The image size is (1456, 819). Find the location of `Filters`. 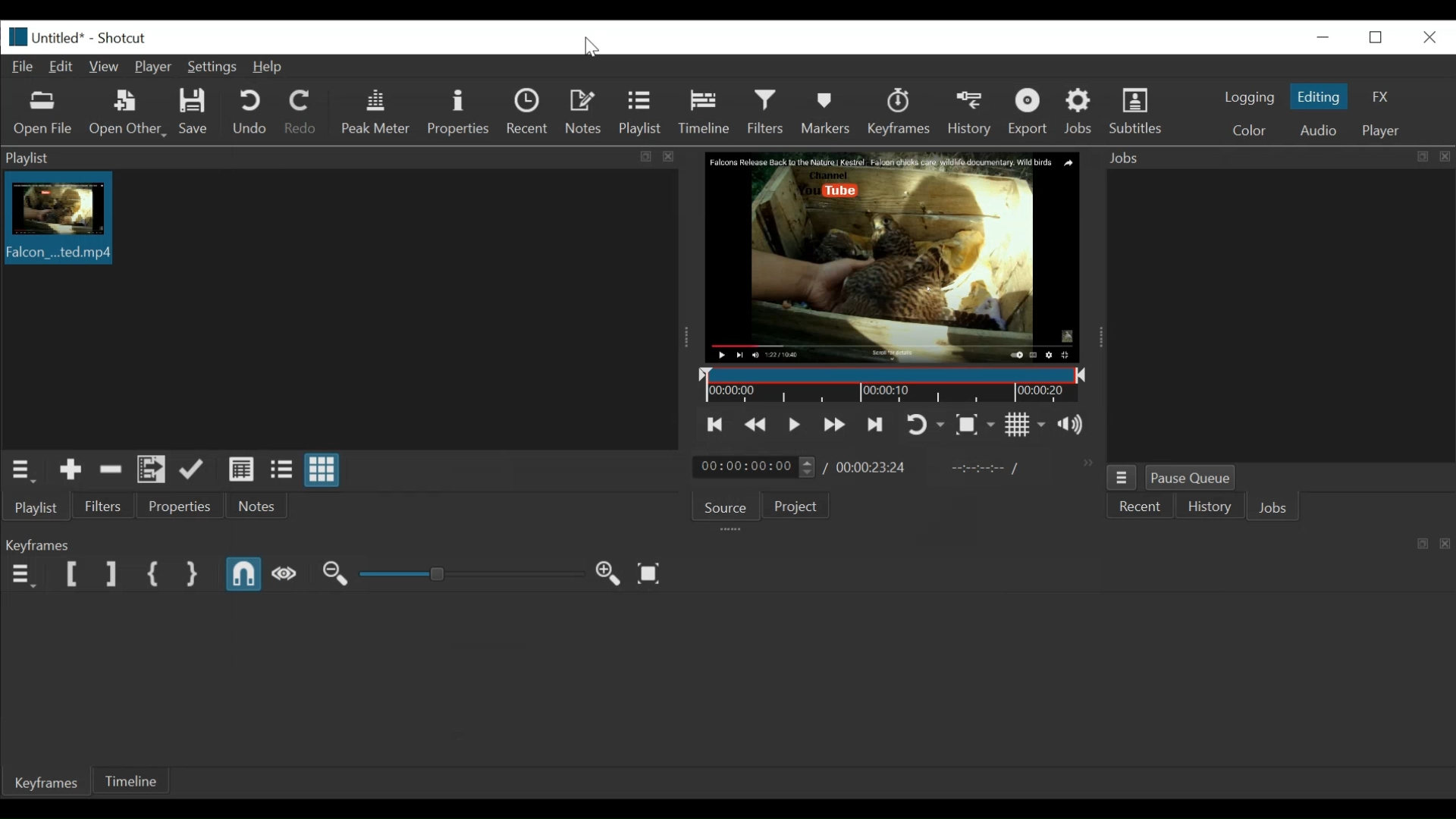

Filters is located at coordinates (108, 507).